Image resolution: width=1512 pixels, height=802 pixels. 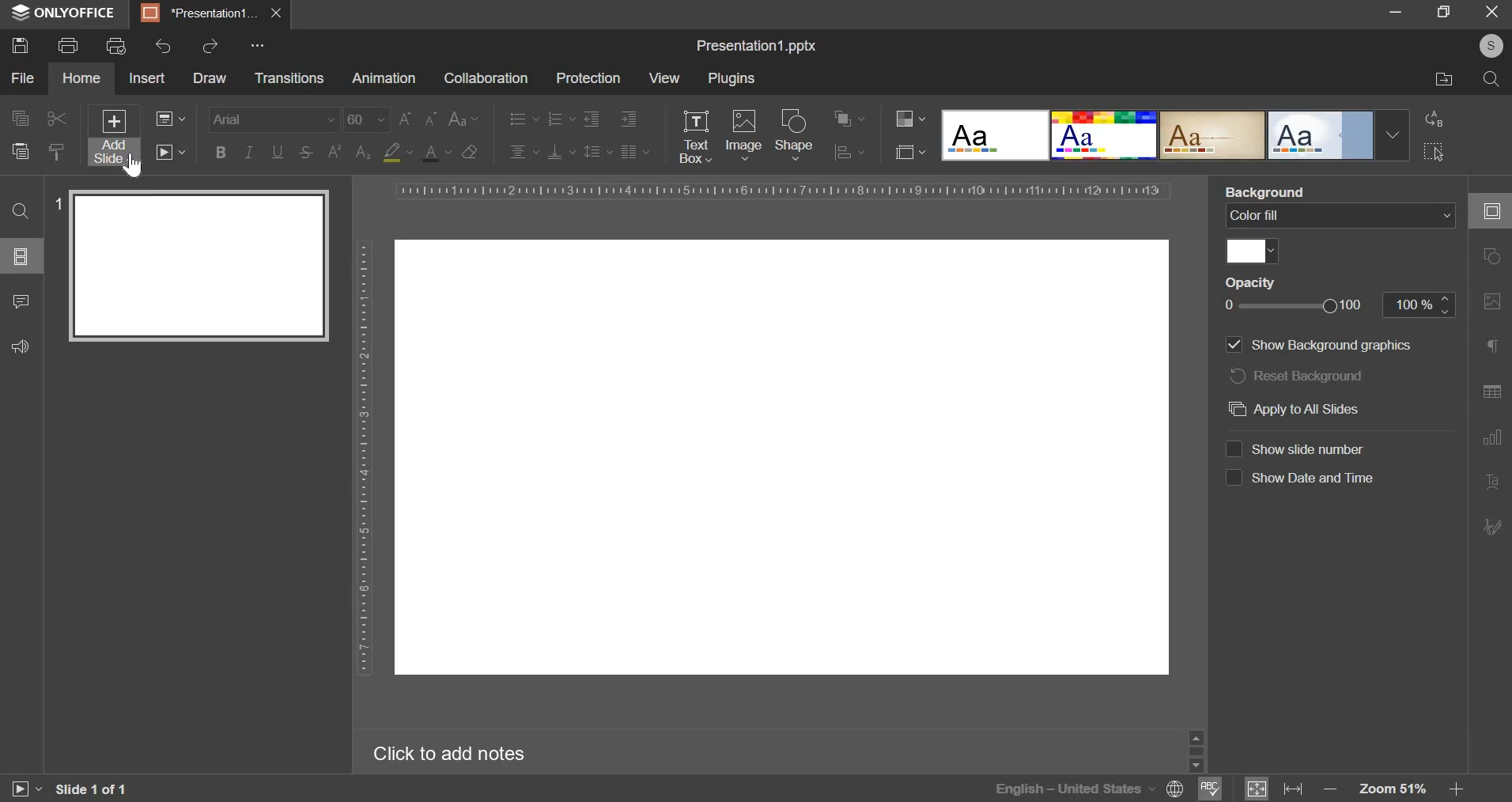 What do you see at coordinates (19, 44) in the screenshot?
I see `save` at bounding box center [19, 44].